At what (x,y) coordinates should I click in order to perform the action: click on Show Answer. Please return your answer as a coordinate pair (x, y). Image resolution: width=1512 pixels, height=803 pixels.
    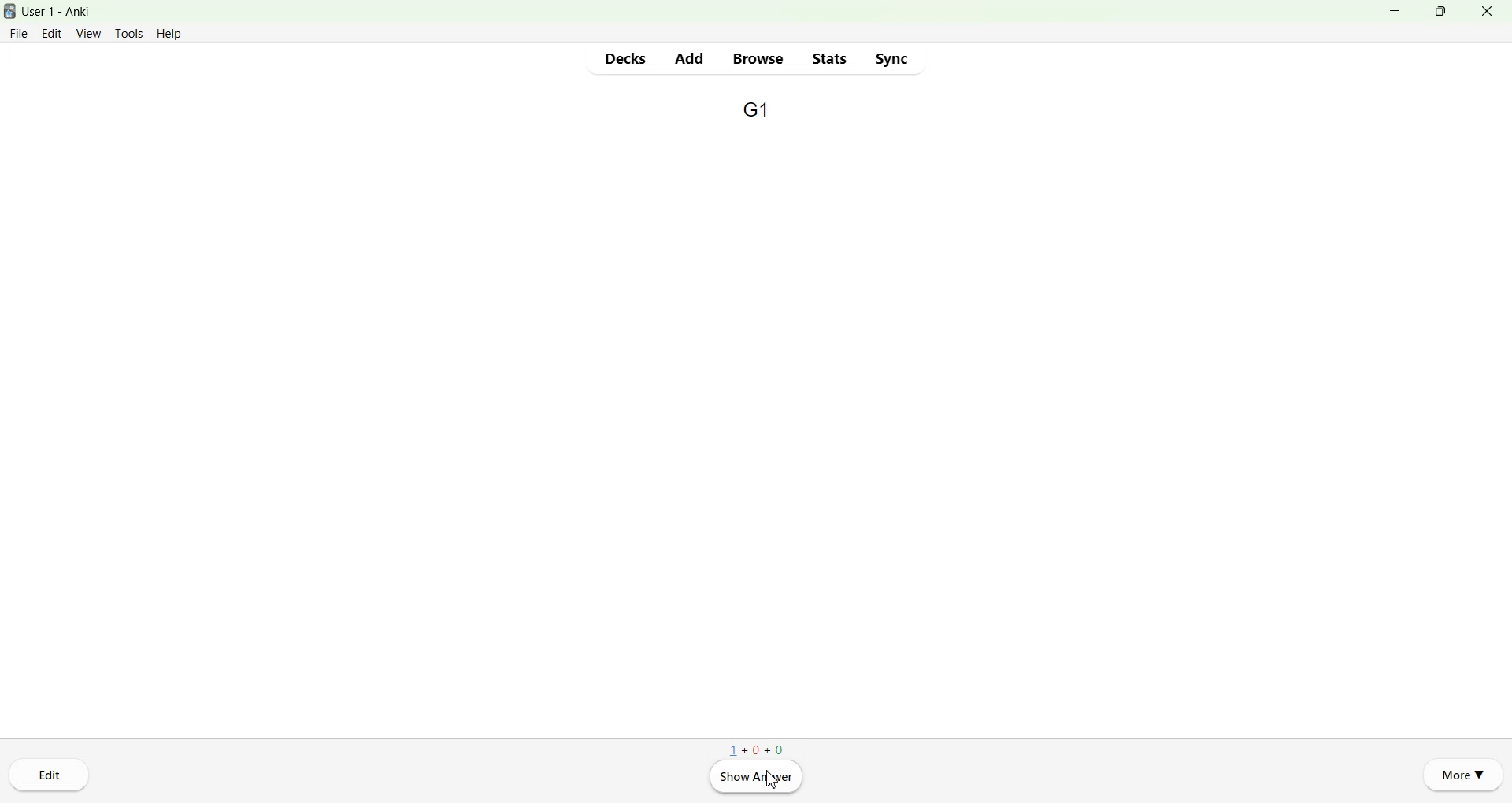
    Looking at the image, I should click on (754, 777).